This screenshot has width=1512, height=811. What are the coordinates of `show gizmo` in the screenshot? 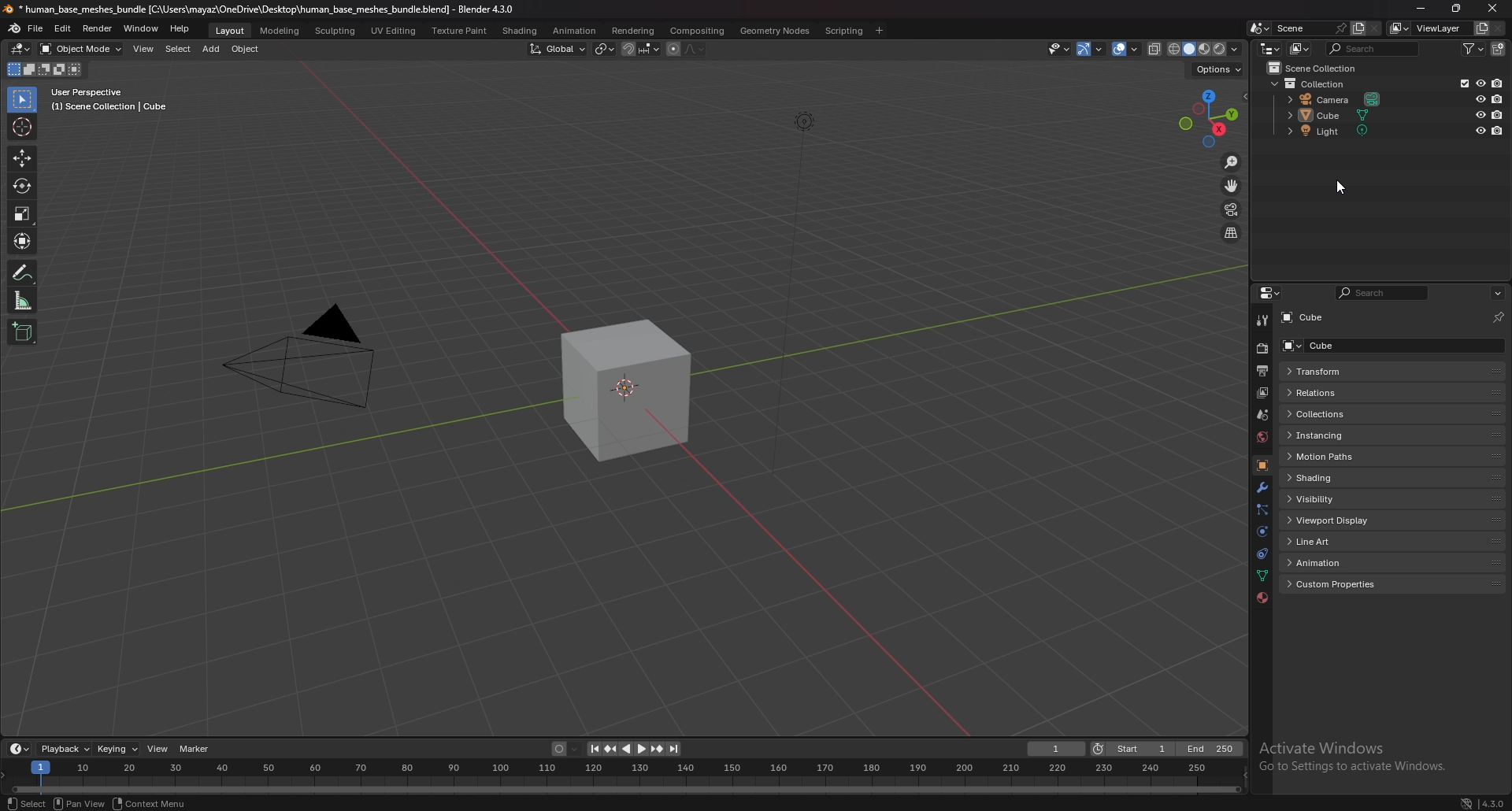 It's located at (1090, 50).